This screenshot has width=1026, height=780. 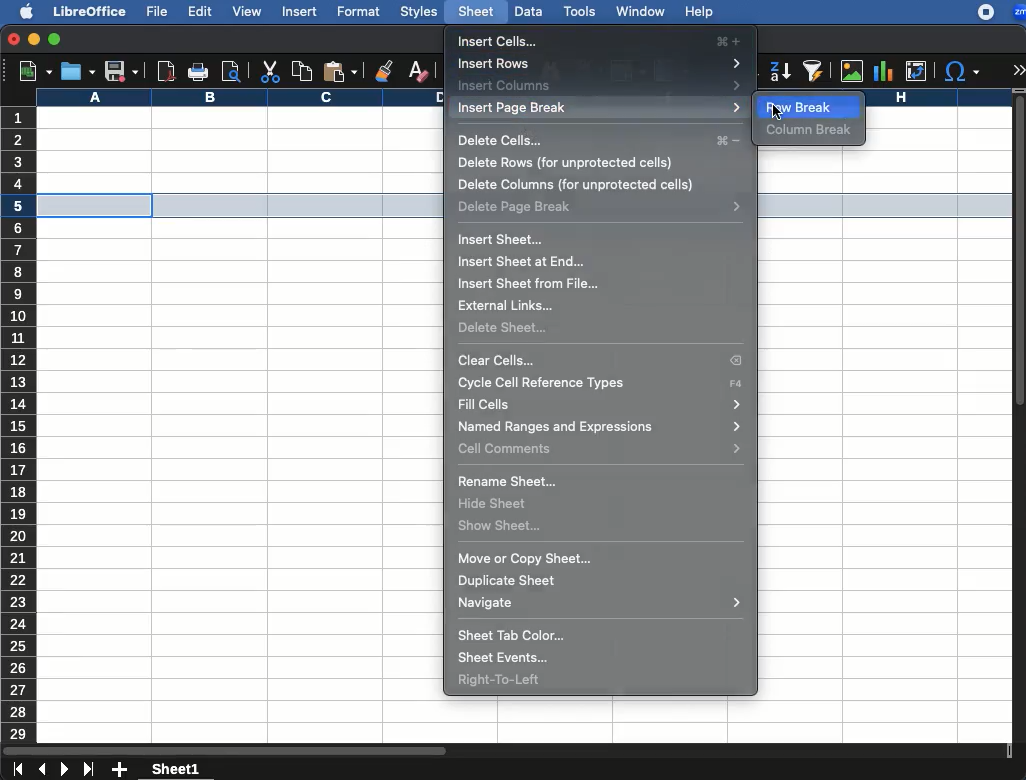 What do you see at coordinates (416, 70) in the screenshot?
I see `clear formatting` at bounding box center [416, 70].